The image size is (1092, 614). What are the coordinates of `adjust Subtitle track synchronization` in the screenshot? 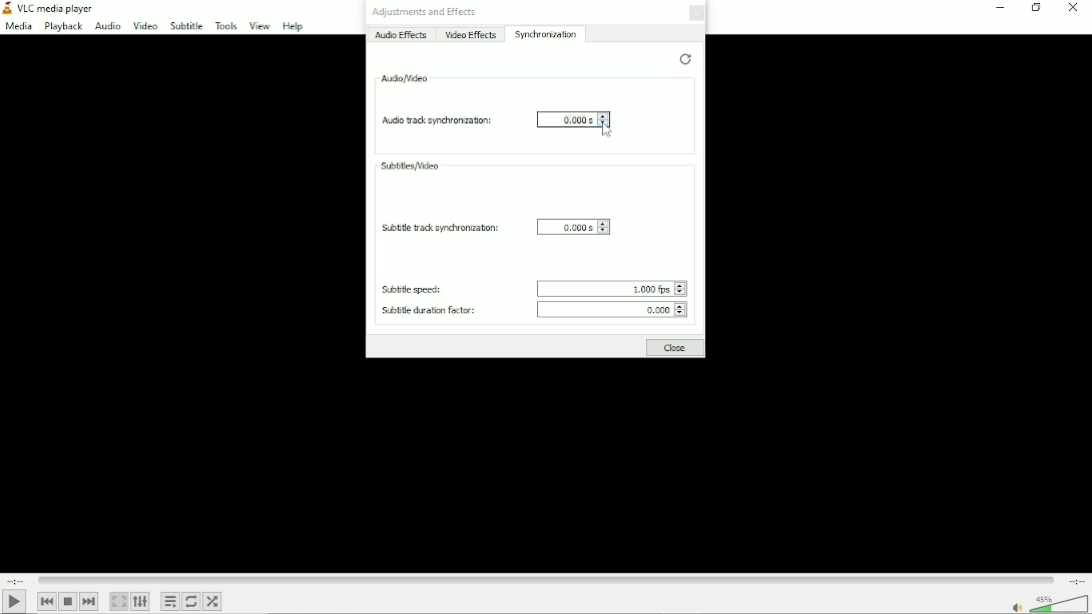 It's located at (604, 226).